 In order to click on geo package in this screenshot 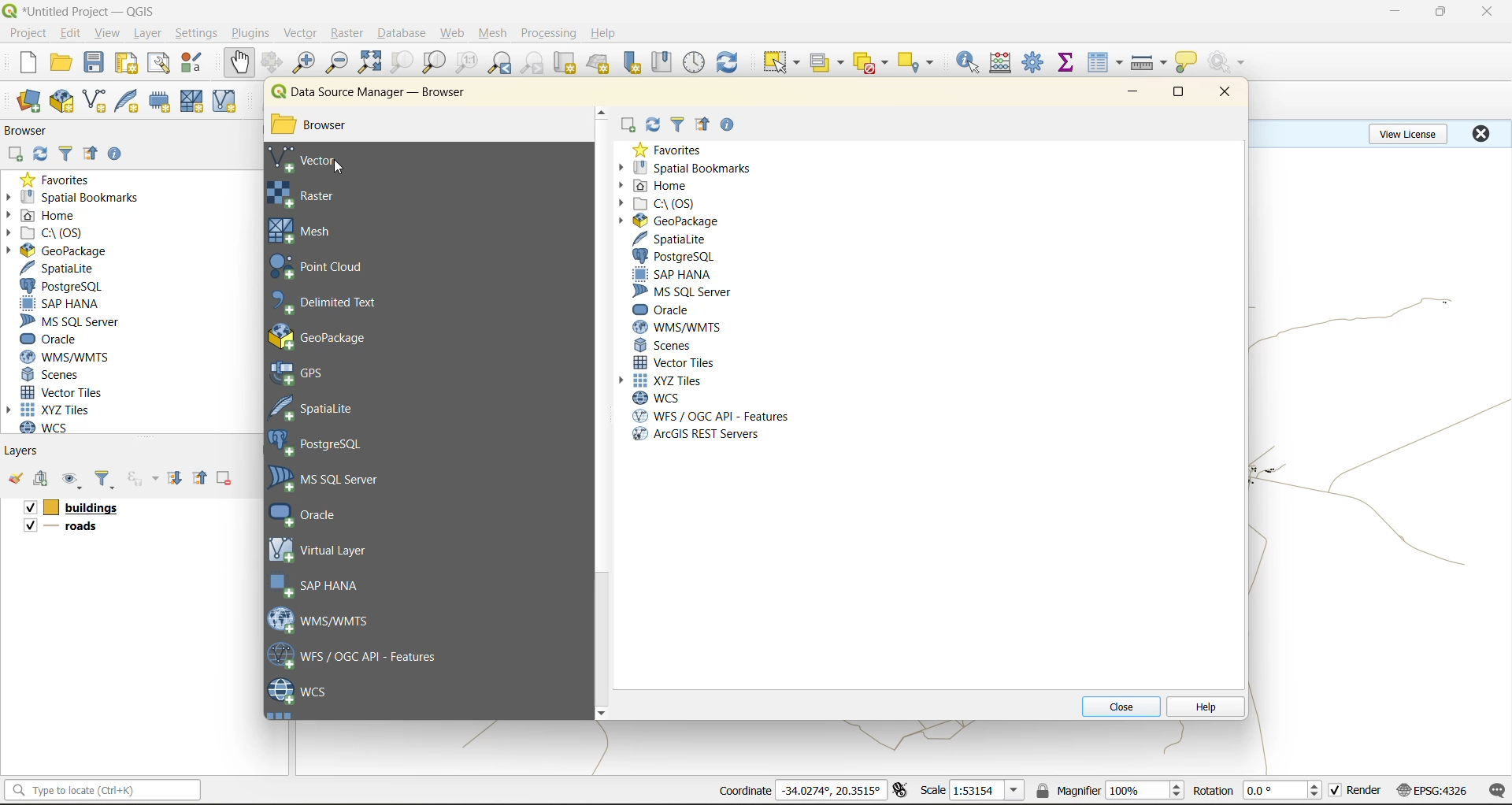, I will do `click(335, 336)`.